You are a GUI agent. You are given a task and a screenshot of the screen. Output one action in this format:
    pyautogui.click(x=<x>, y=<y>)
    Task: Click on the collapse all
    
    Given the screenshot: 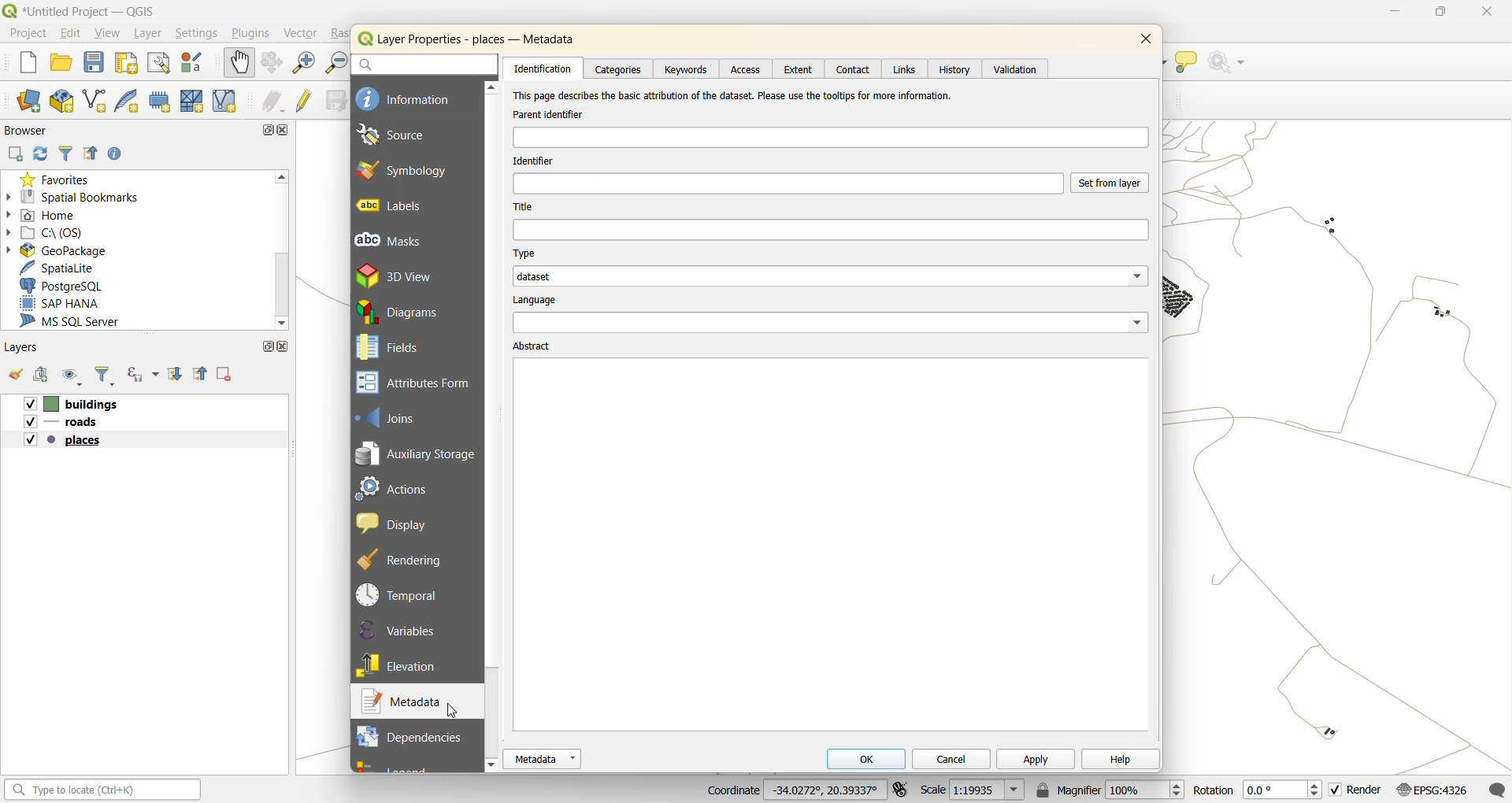 What is the action you would take?
    pyautogui.click(x=202, y=376)
    